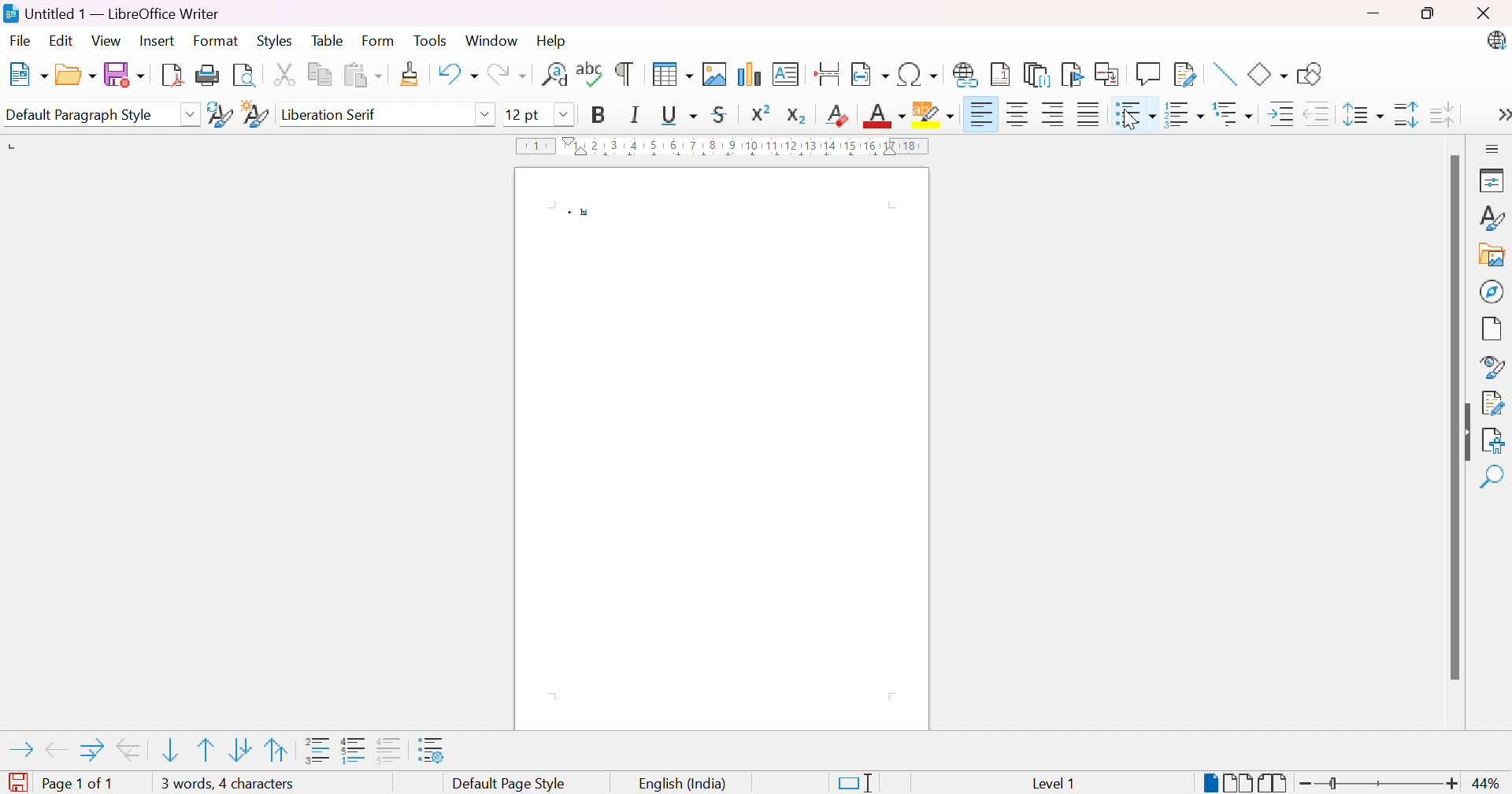 This screenshot has width=1512, height=794. Describe the element at coordinates (1449, 417) in the screenshot. I see `Scroll bar` at that location.